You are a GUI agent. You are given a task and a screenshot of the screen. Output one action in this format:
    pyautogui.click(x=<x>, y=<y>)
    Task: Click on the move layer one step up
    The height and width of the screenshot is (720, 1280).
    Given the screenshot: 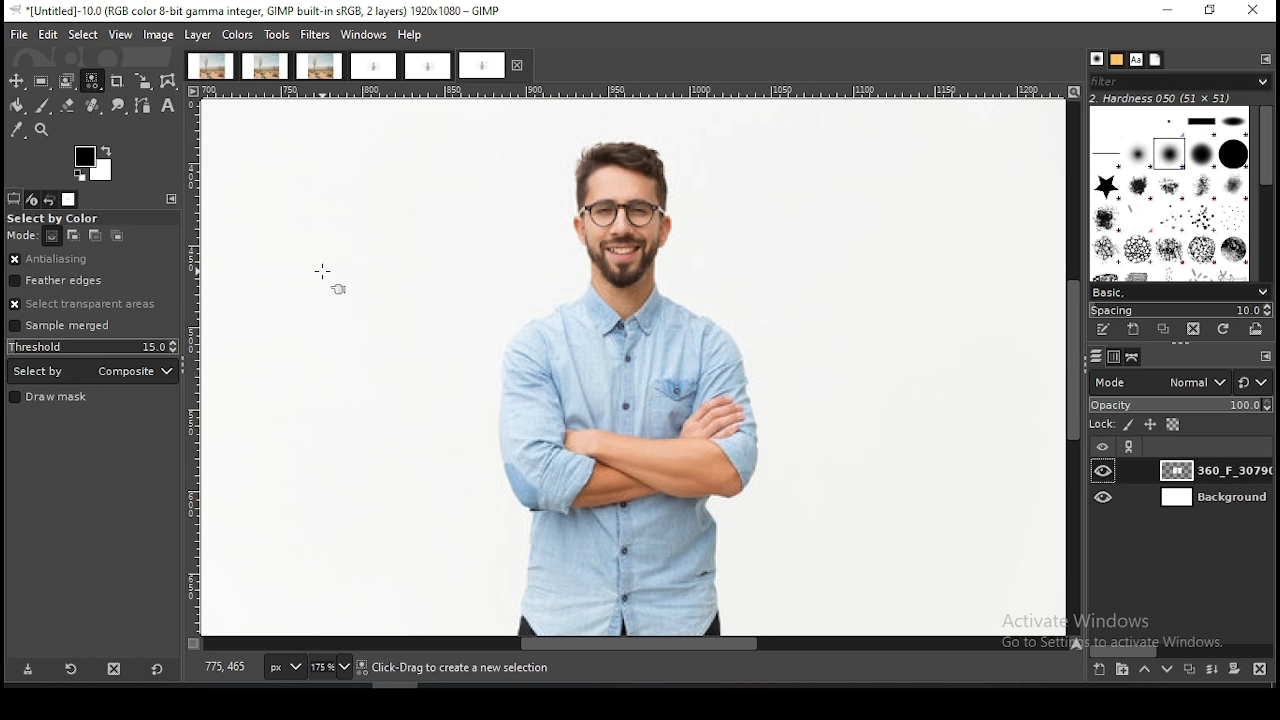 What is the action you would take?
    pyautogui.click(x=1144, y=669)
    